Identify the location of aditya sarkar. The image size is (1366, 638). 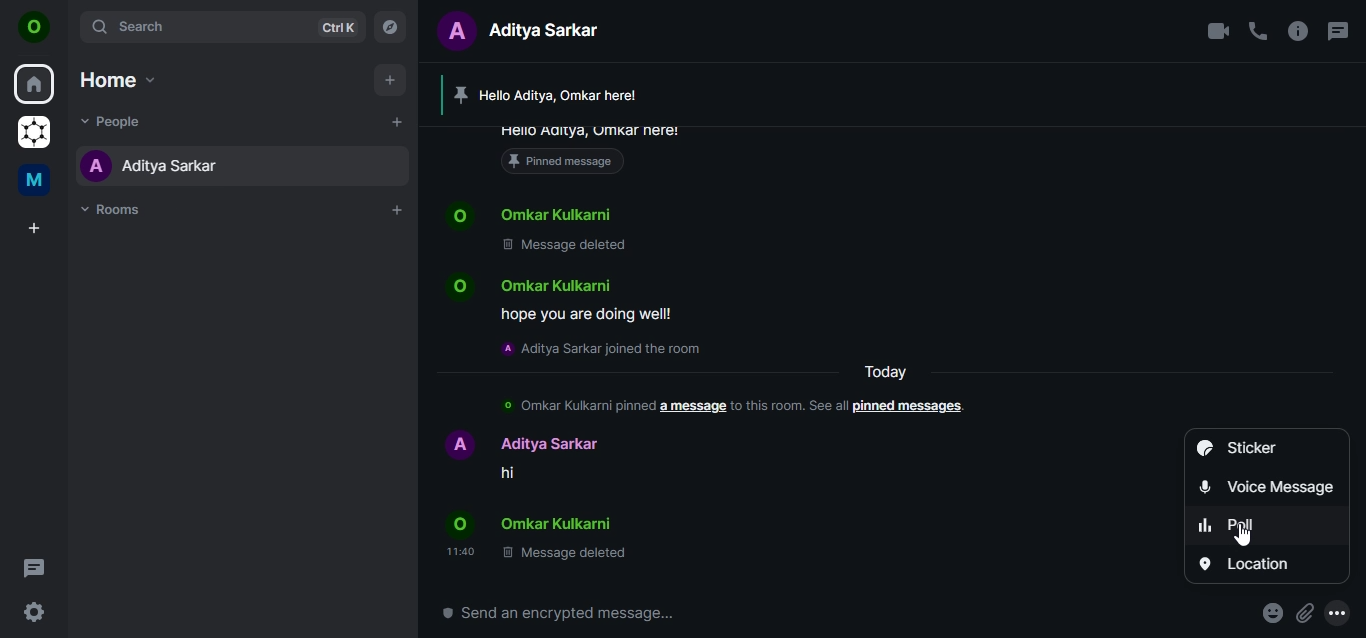
(528, 29).